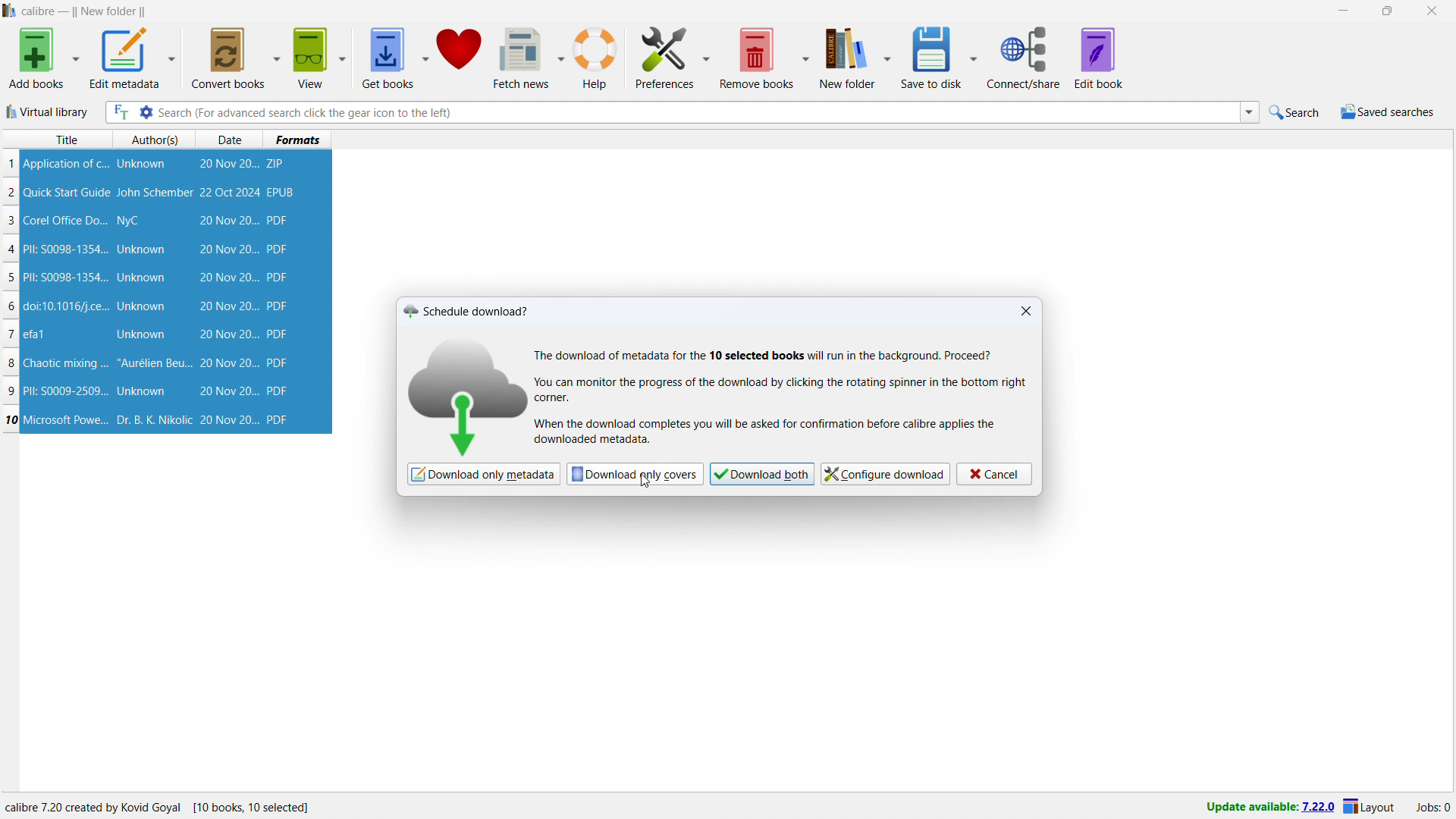  Describe the element at coordinates (1026, 311) in the screenshot. I see `close` at that location.